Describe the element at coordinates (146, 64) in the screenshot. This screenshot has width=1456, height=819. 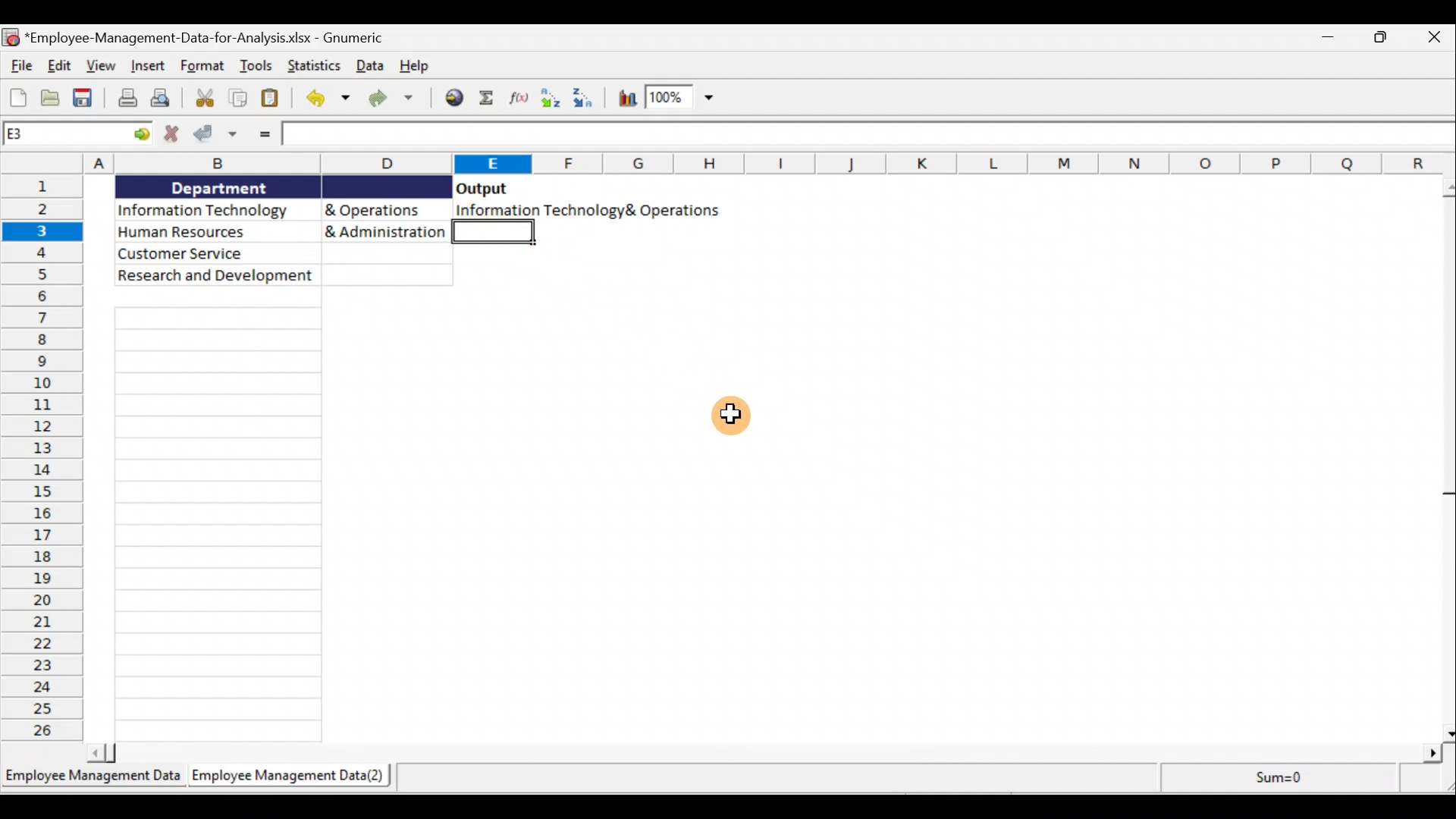
I see `Insert` at that location.